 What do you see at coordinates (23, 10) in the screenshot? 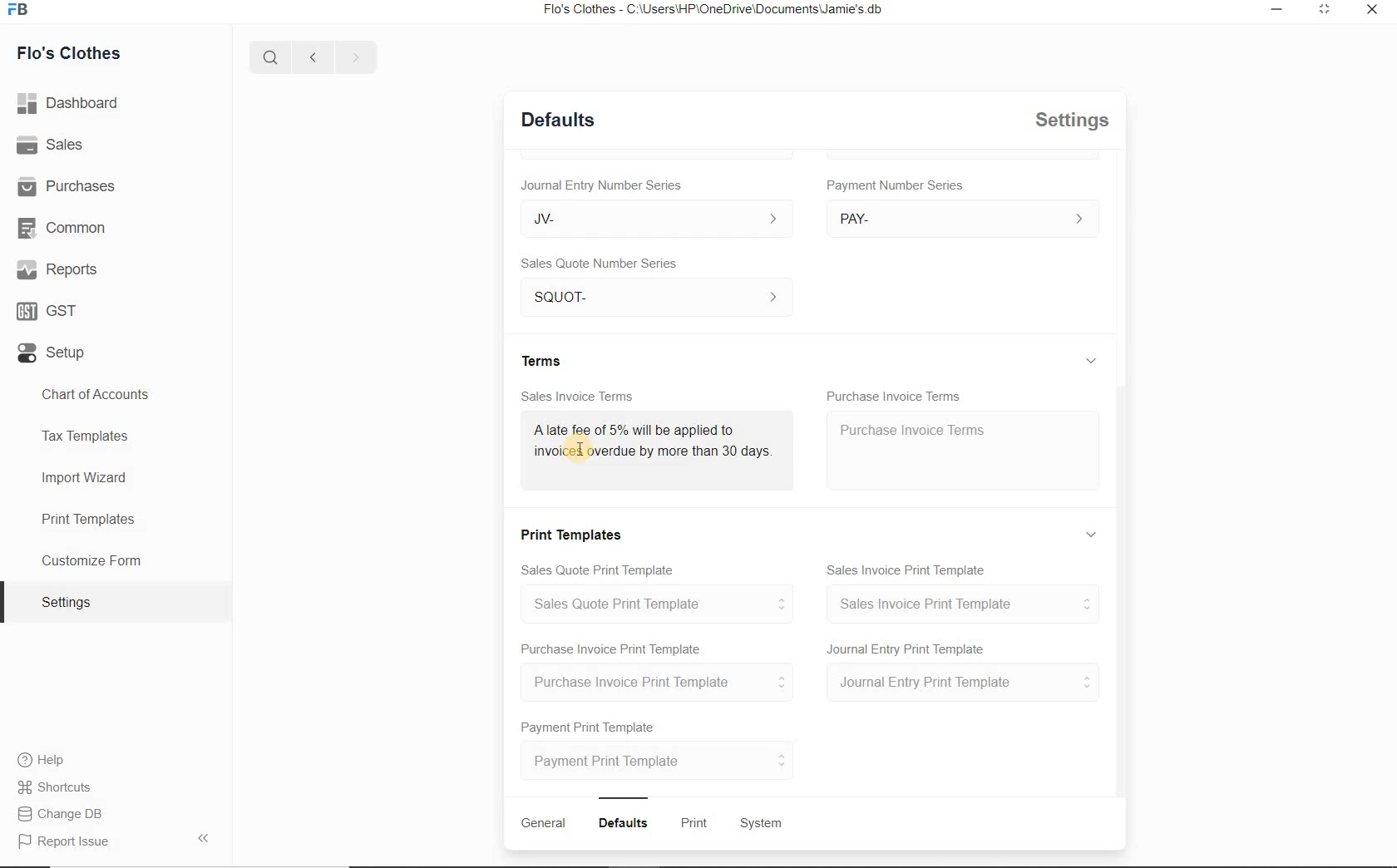
I see `FB logo` at bounding box center [23, 10].